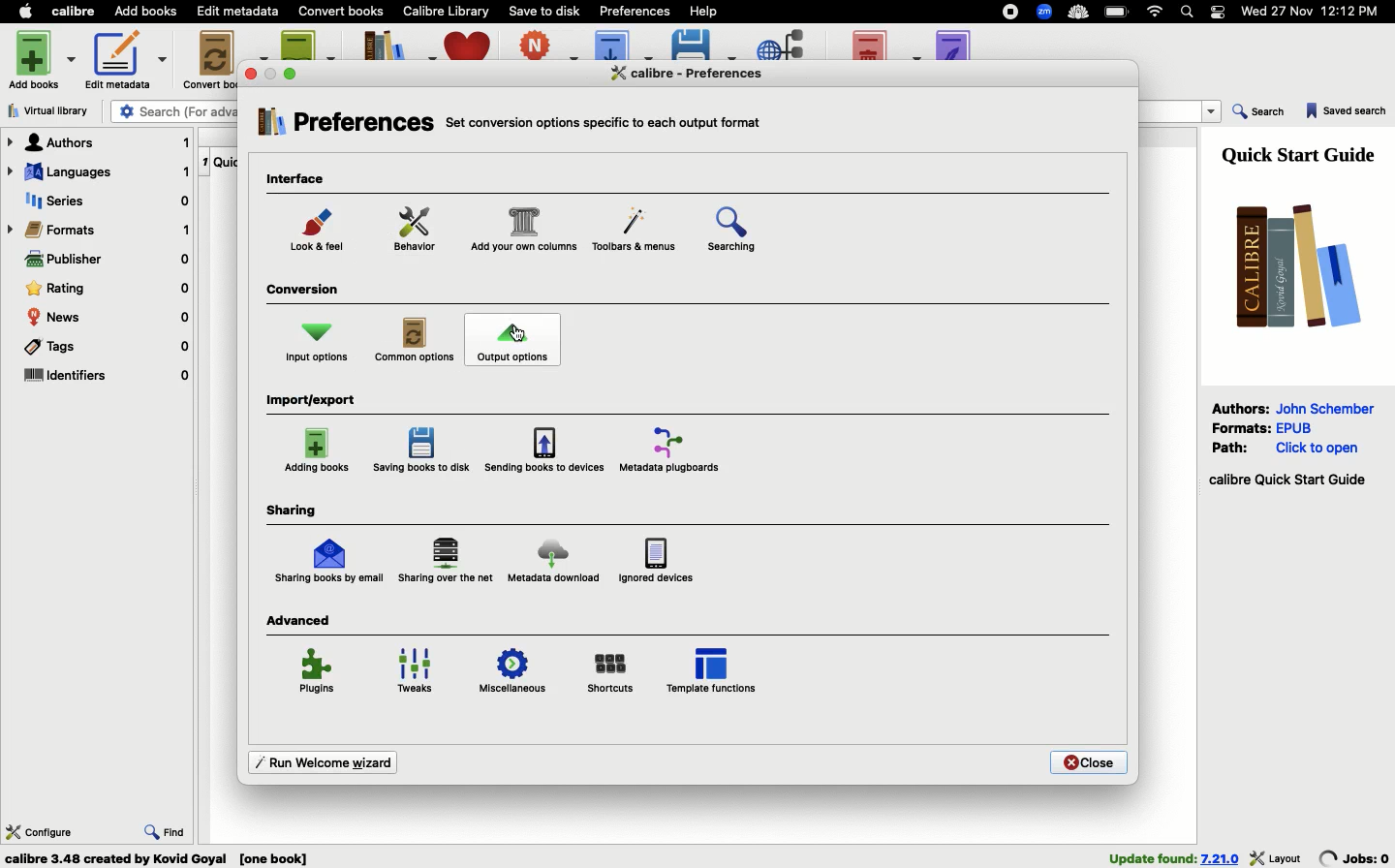 This screenshot has height=868, width=1395. I want to click on Preferences, so click(636, 10).